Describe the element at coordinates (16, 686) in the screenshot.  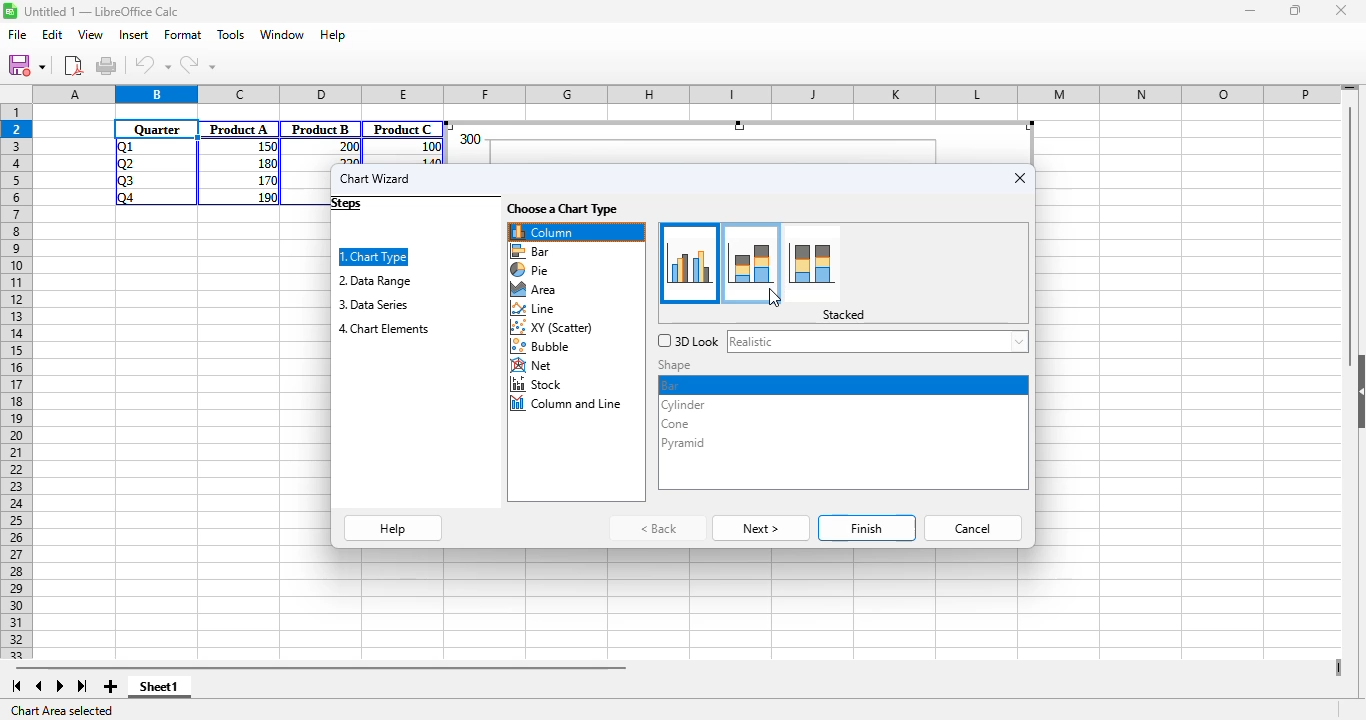
I see `scroll to first sheet` at that location.